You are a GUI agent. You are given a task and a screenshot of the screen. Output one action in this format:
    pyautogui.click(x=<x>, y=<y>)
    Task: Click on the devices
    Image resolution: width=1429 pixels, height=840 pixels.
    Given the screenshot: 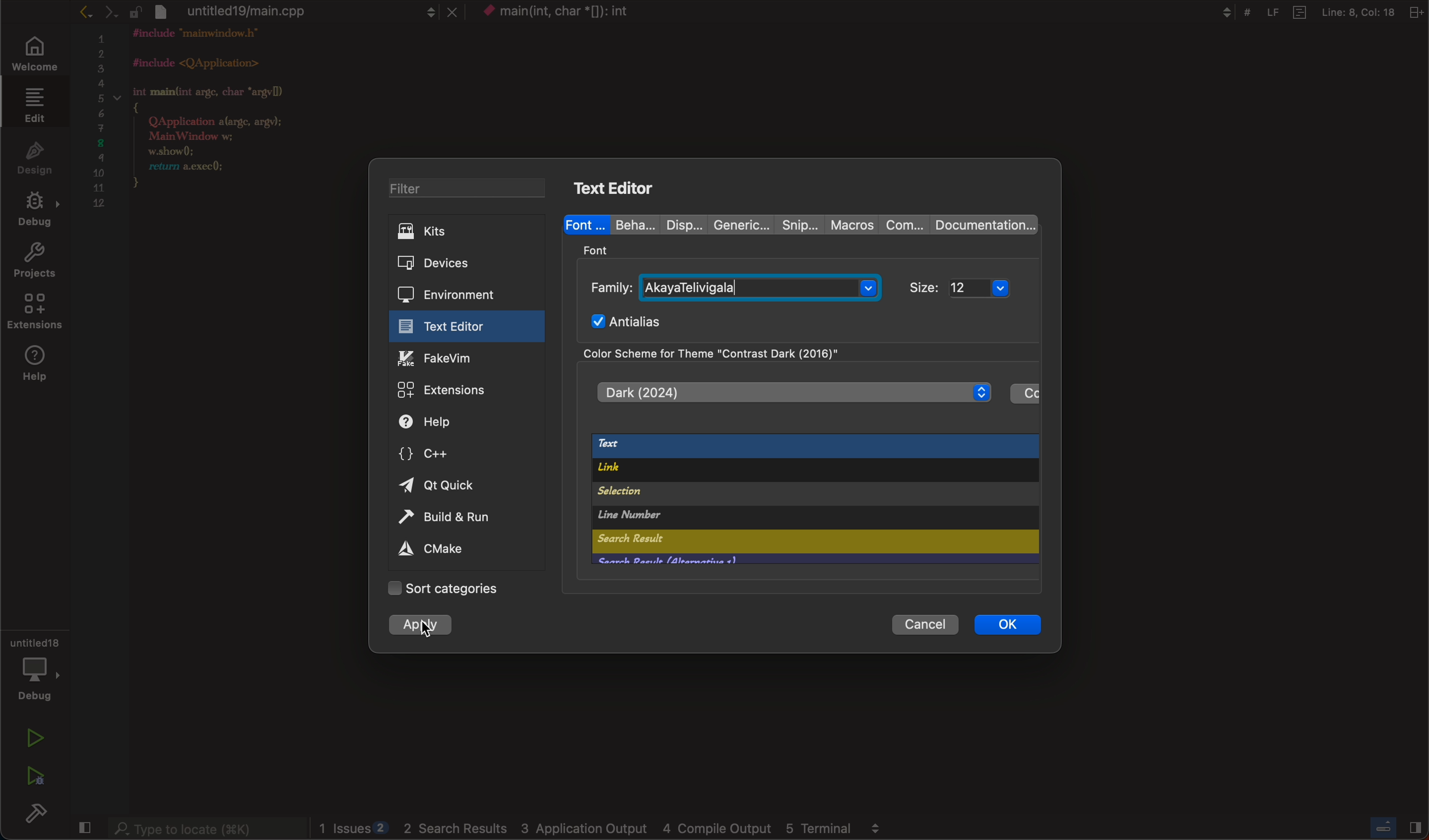 What is the action you would take?
    pyautogui.click(x=458, y=264)
    